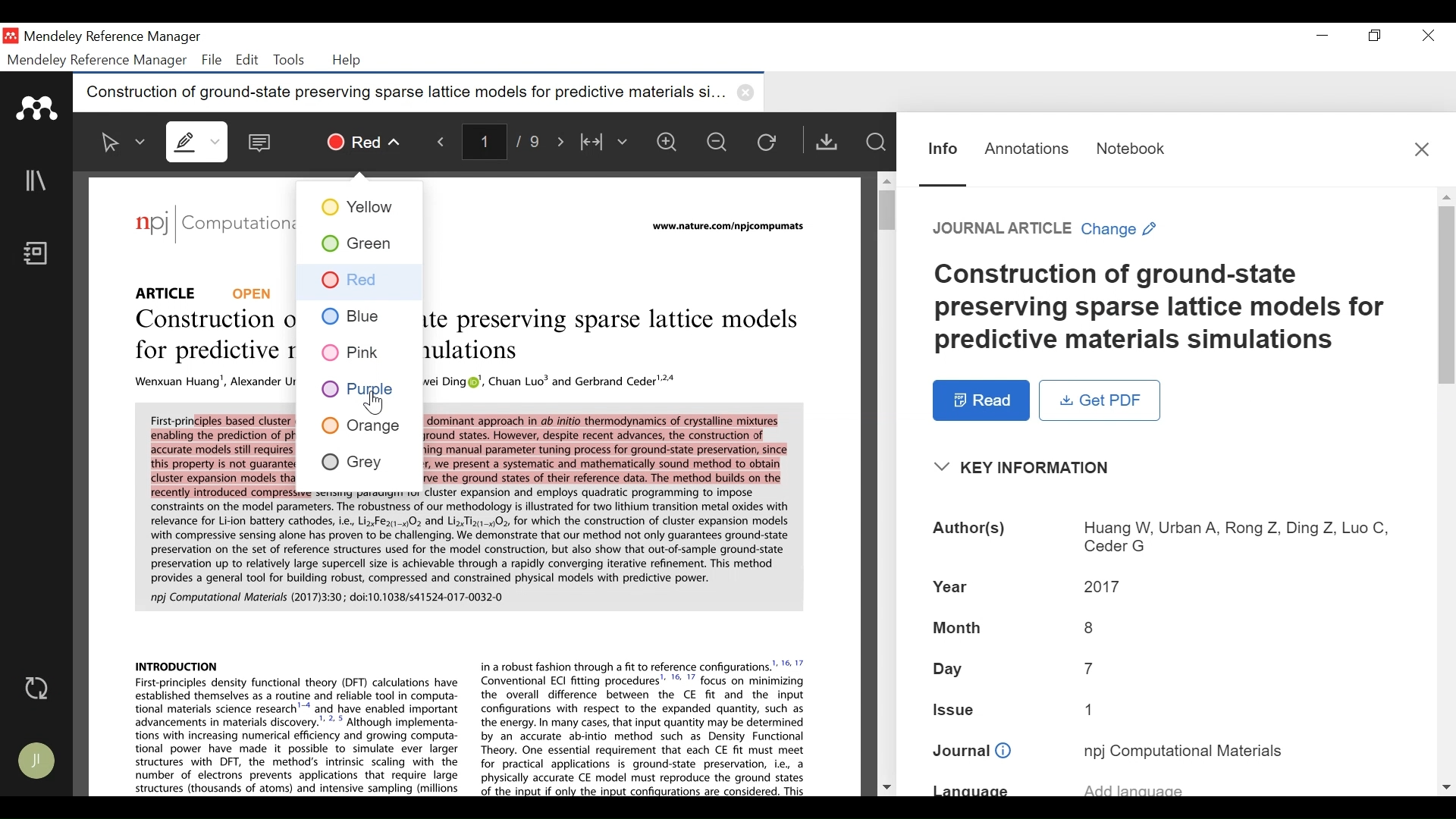 This screenshot has width=1456, height=819. What do you see at coordinates (358, 282) in the screenshot?
I see `Red` at bounding box center [358, 282].